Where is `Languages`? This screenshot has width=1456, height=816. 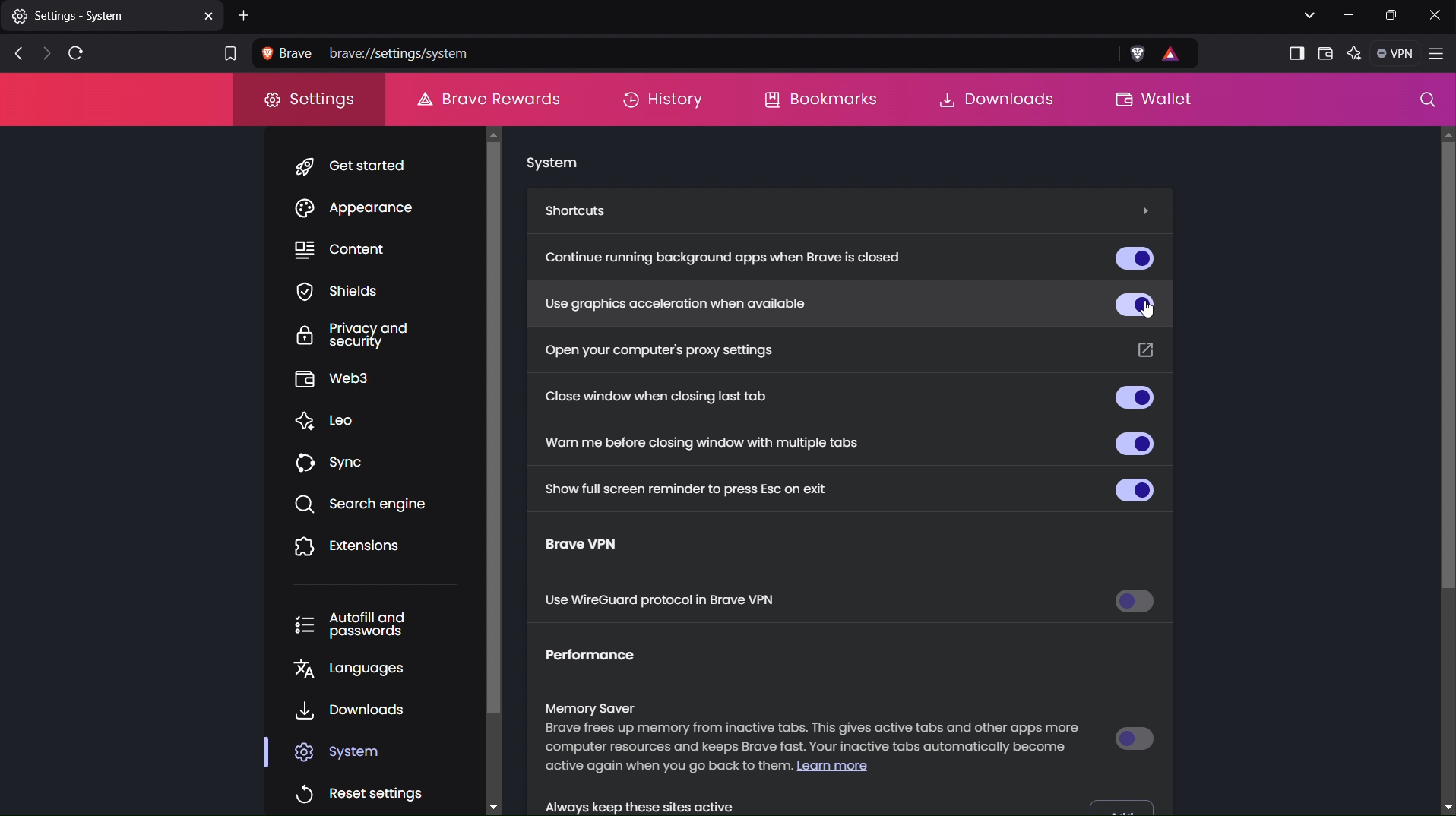
Languages is located at coordinates (358, 672).